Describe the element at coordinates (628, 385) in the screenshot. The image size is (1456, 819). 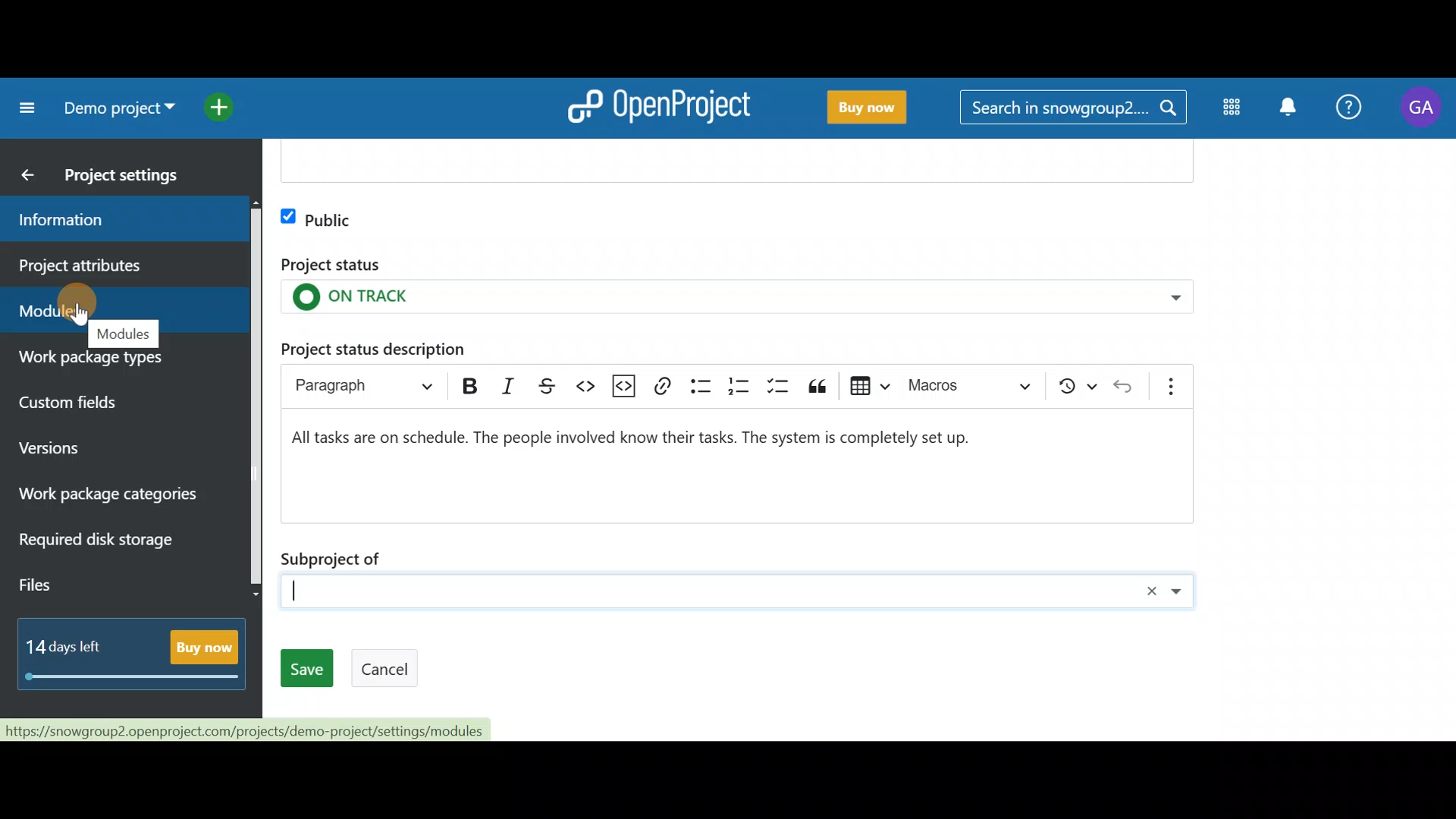
I see `Insert code snoppet` at that location.